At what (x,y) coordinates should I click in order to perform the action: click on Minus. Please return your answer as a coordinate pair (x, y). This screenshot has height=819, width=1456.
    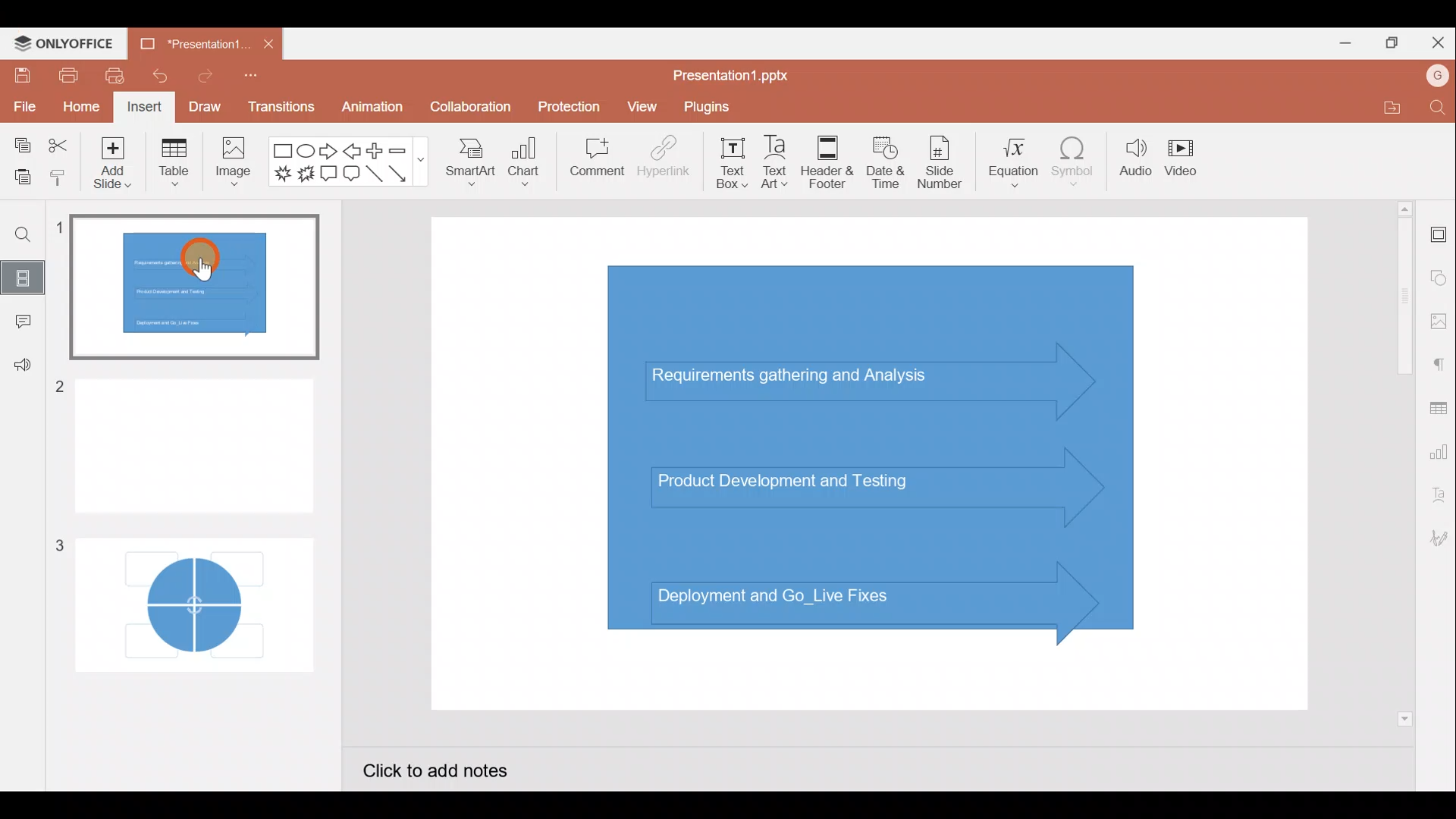
    Looking at the image, I should click on (403, 151).